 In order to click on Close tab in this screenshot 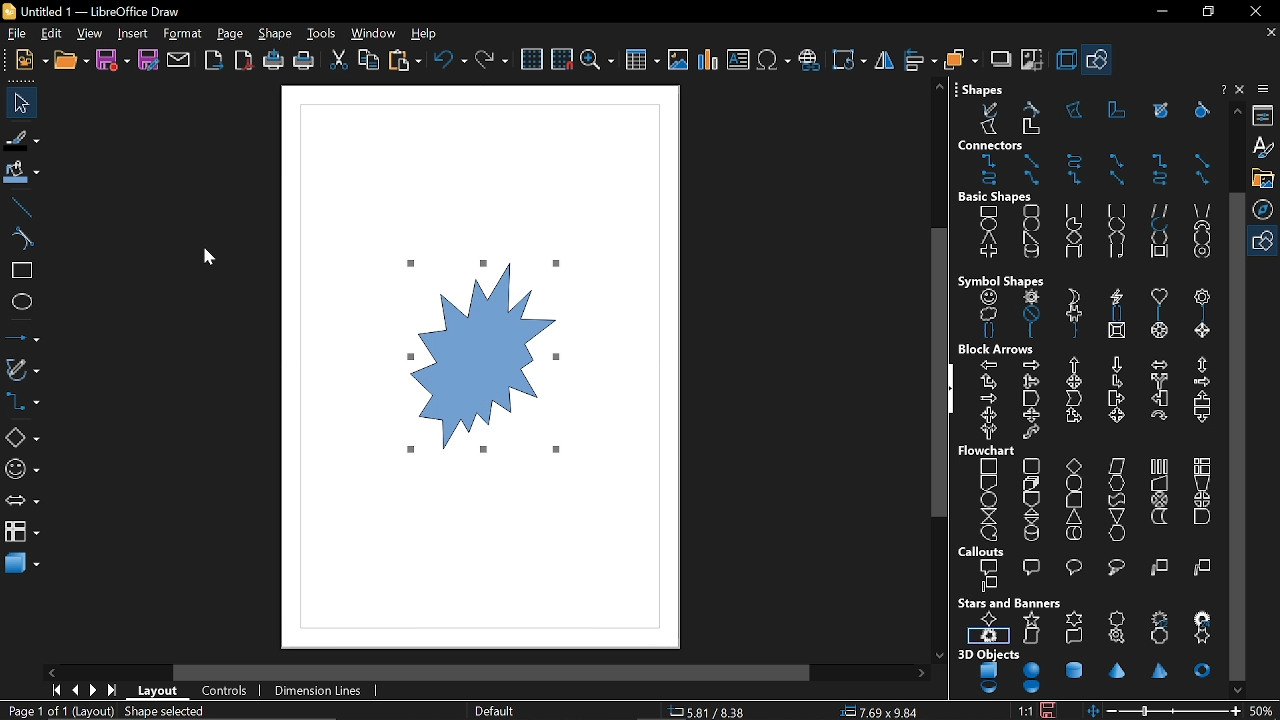, I will do `click(1269, 31)`.